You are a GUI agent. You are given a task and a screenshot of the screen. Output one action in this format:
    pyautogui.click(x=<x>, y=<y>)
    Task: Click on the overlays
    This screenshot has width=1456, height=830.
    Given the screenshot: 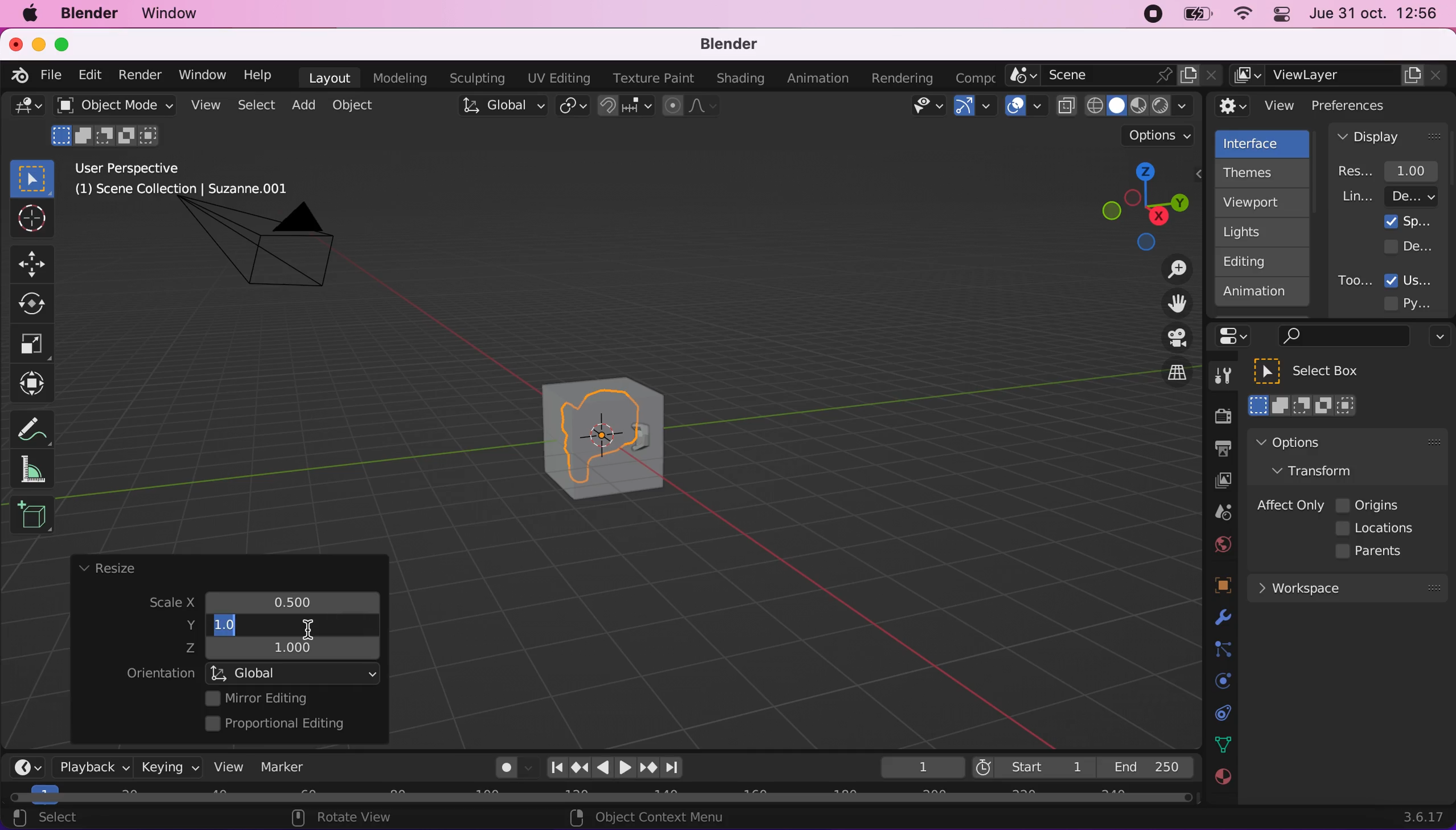 What is the action you would take?
    pyautogui.click(x=1026, y=107)
    